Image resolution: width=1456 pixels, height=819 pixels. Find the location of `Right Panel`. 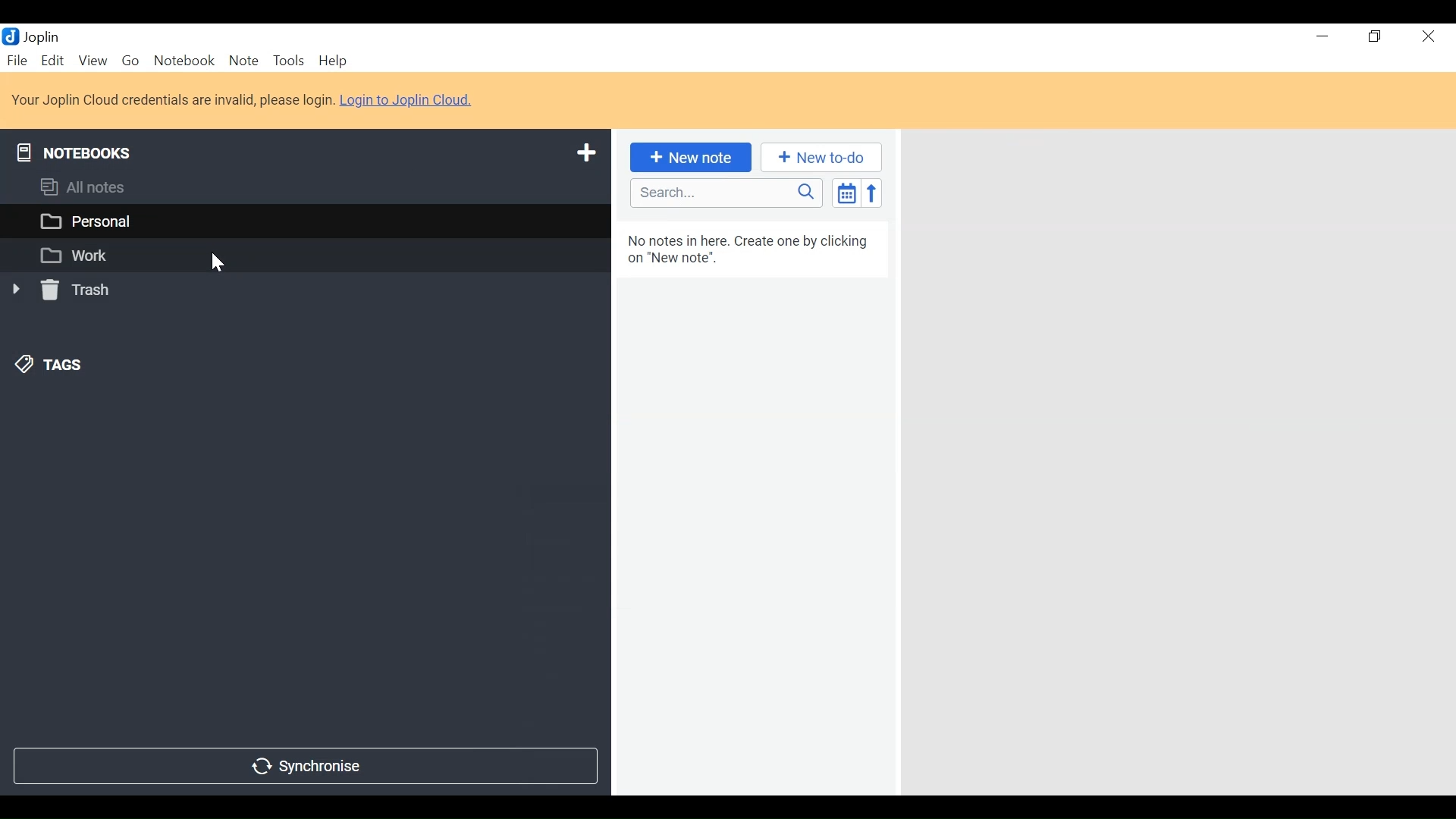

Right Panel is located at coordinates (1182, 467).